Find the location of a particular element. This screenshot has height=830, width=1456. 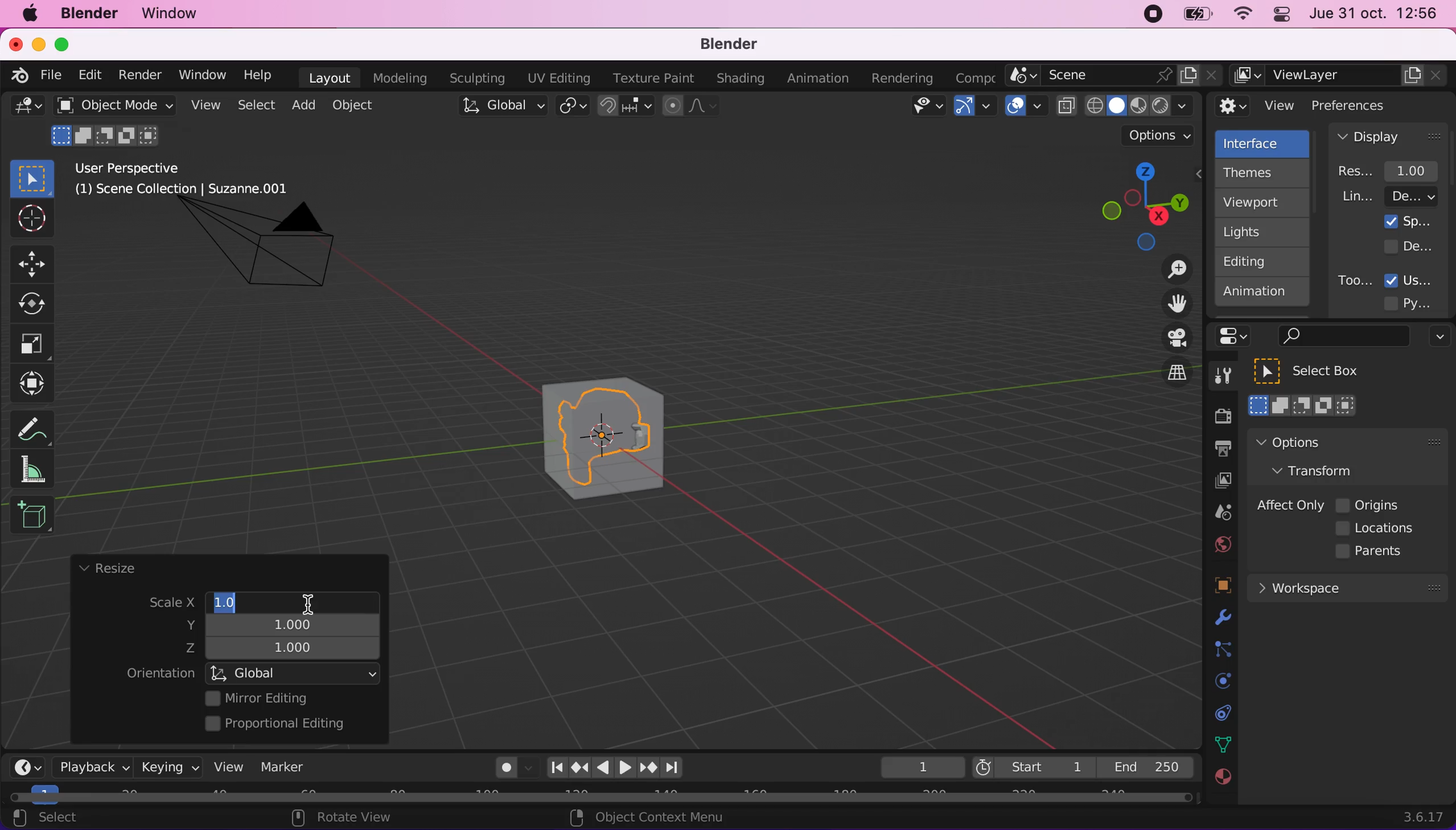

proportional editing objects is located at coordinates (692, 107).